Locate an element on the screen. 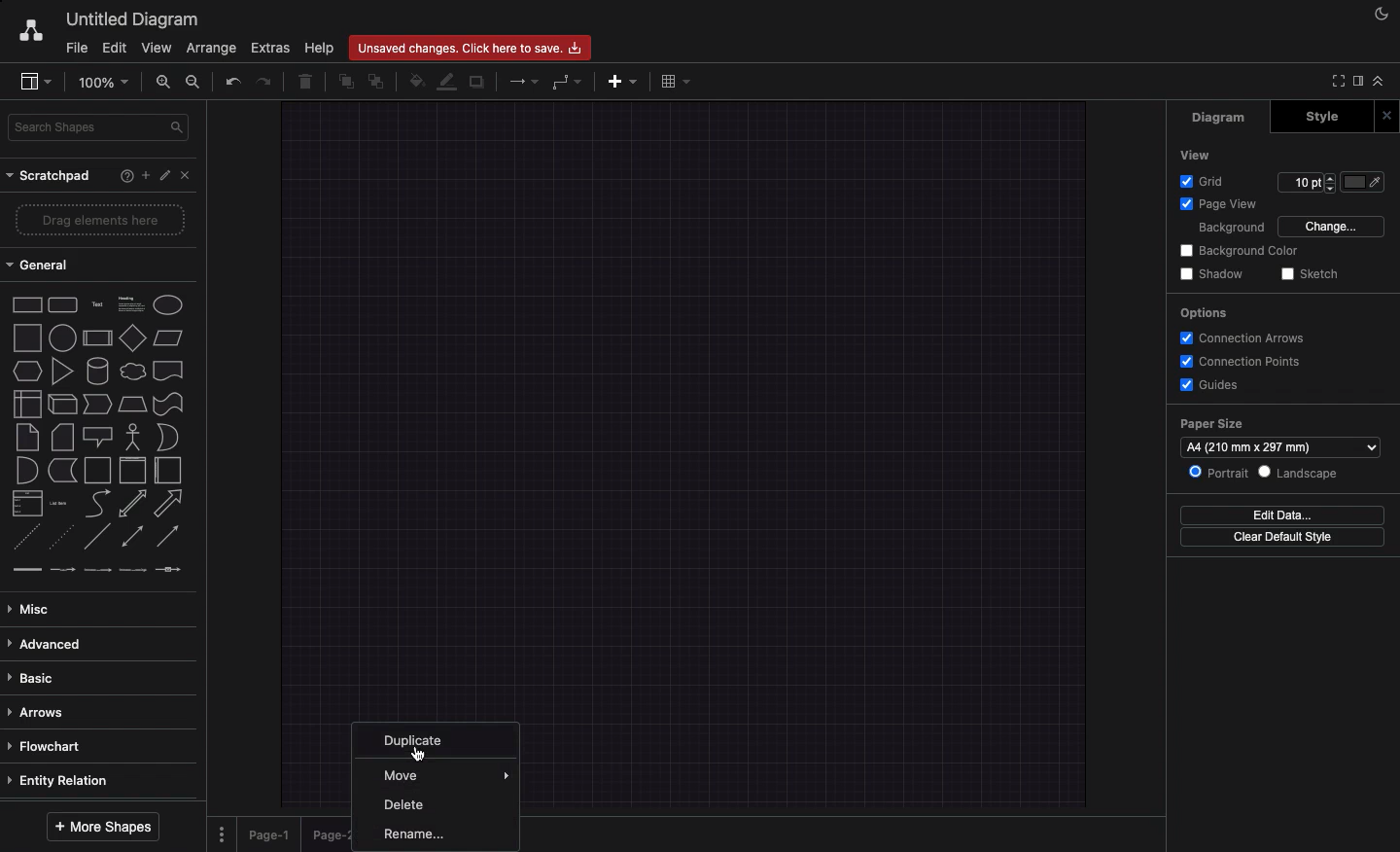 This screenshot has width=1400, height=852. Sidebar is located at coordinates (33, 81).